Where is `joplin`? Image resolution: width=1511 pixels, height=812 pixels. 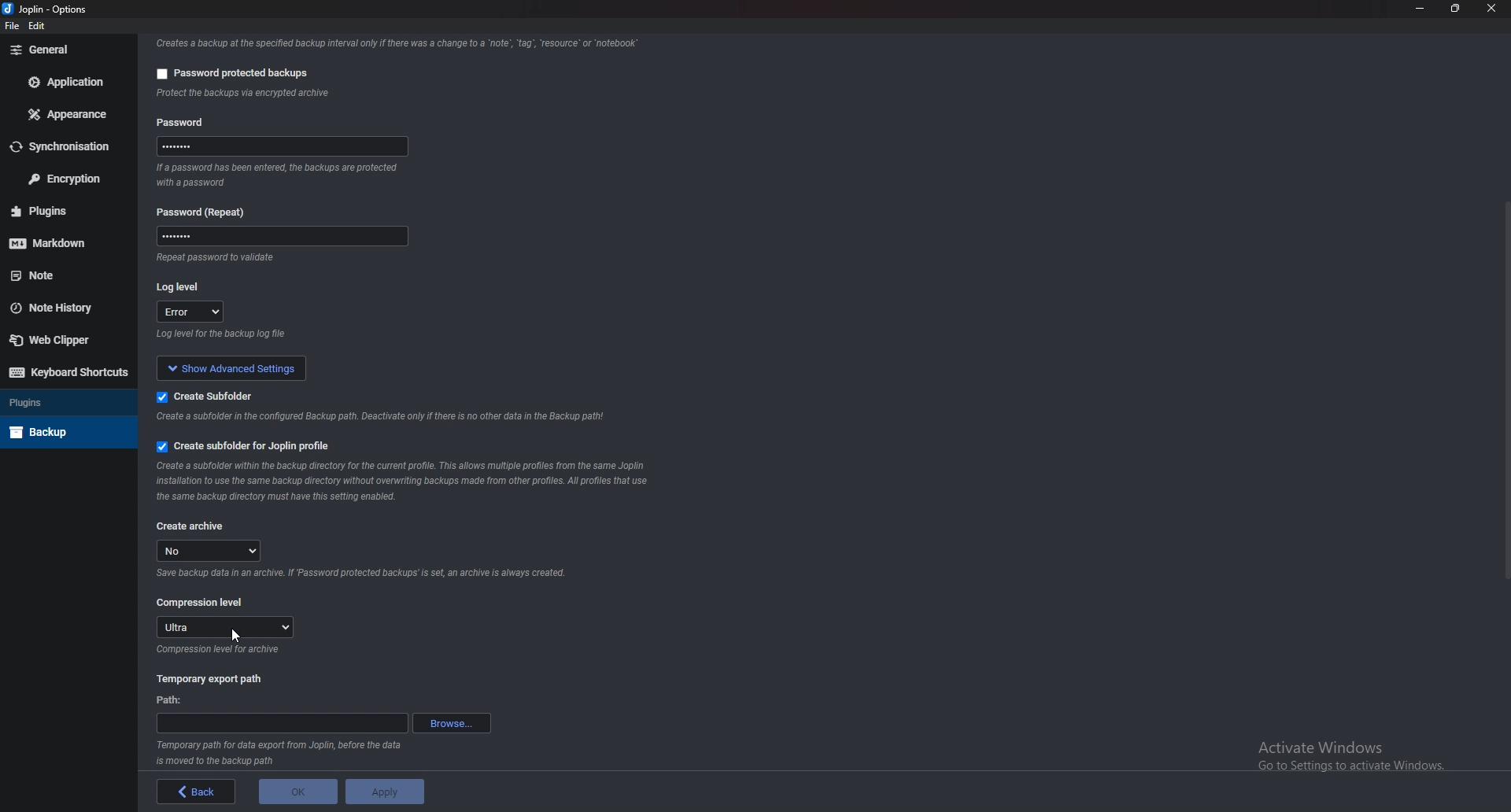 joplin is located at coordinates (28, 10).